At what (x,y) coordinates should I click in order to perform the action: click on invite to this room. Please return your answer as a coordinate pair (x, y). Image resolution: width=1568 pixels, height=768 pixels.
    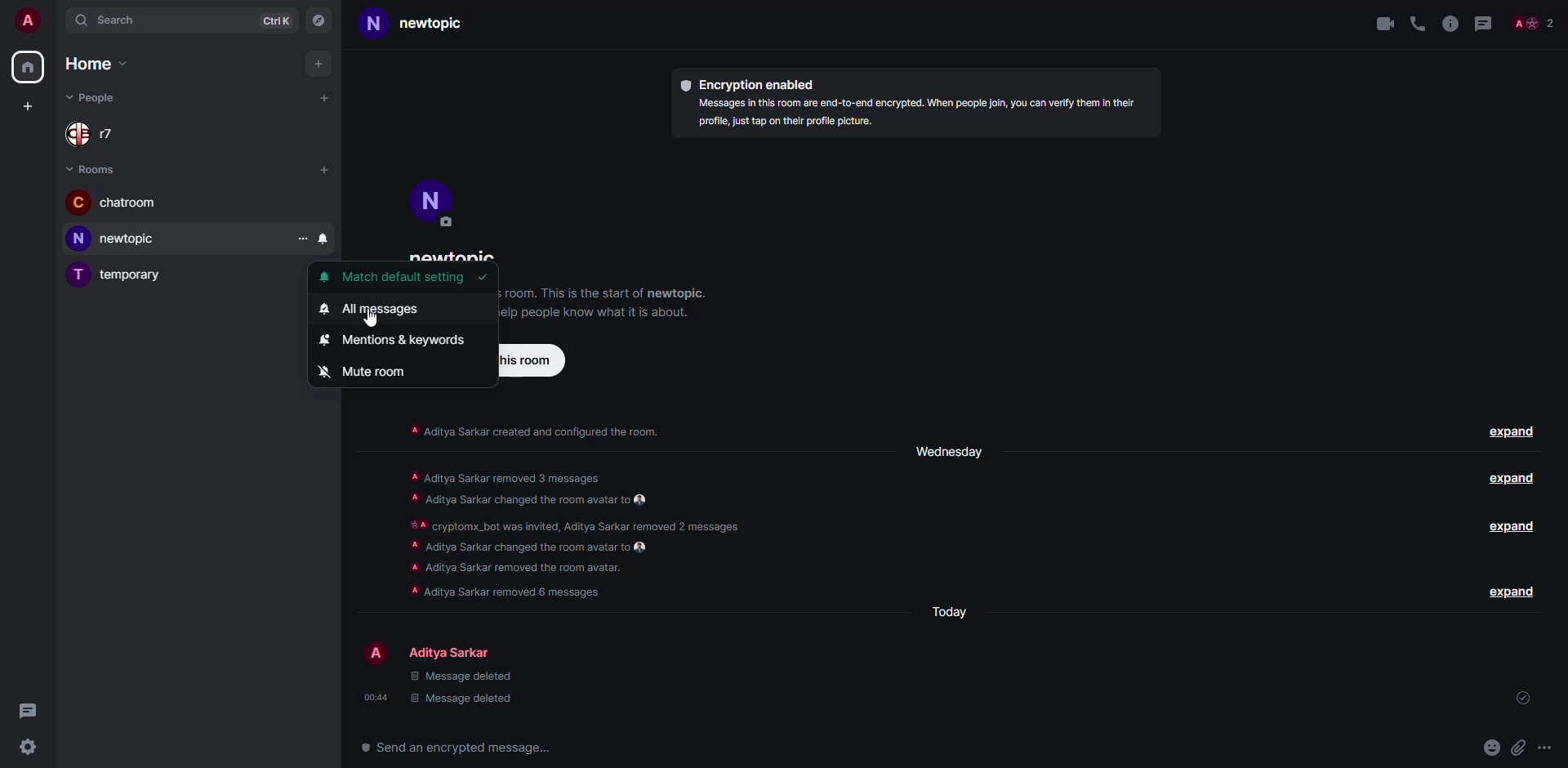
    Looking at the image, I should click on (531, 361).